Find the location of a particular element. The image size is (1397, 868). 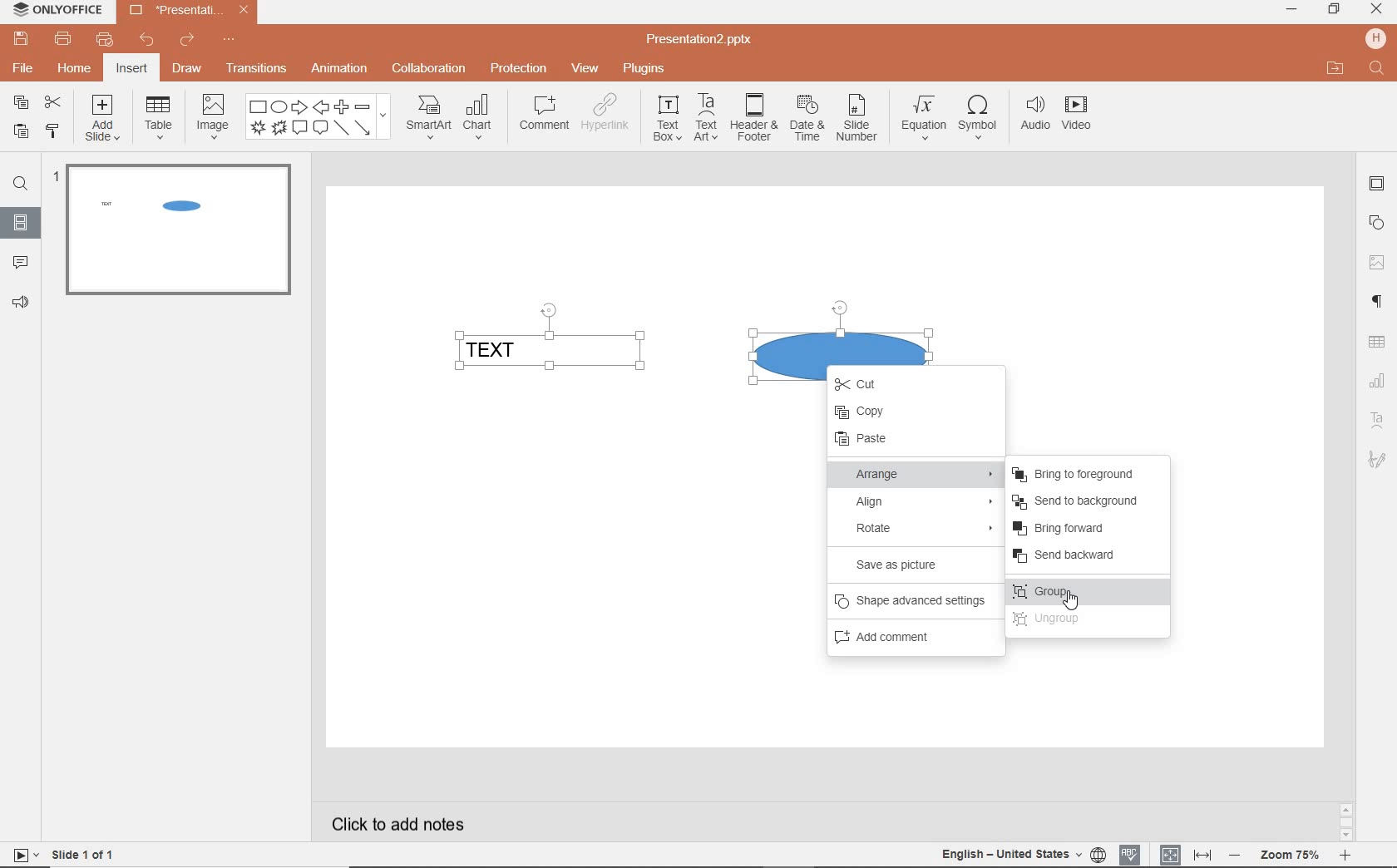

minimize is located at coordinates (1291, 10).